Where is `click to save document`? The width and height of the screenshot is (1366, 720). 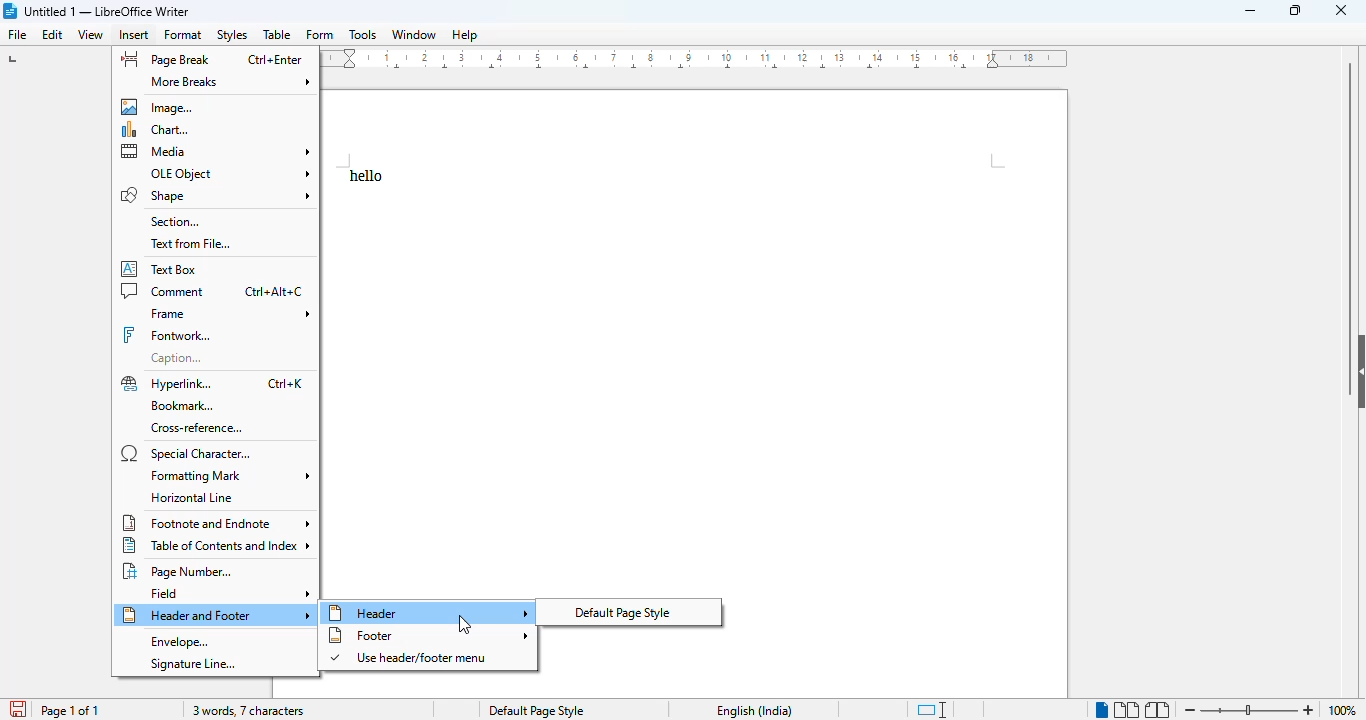 click to save document is located at coordinates (18, 709).